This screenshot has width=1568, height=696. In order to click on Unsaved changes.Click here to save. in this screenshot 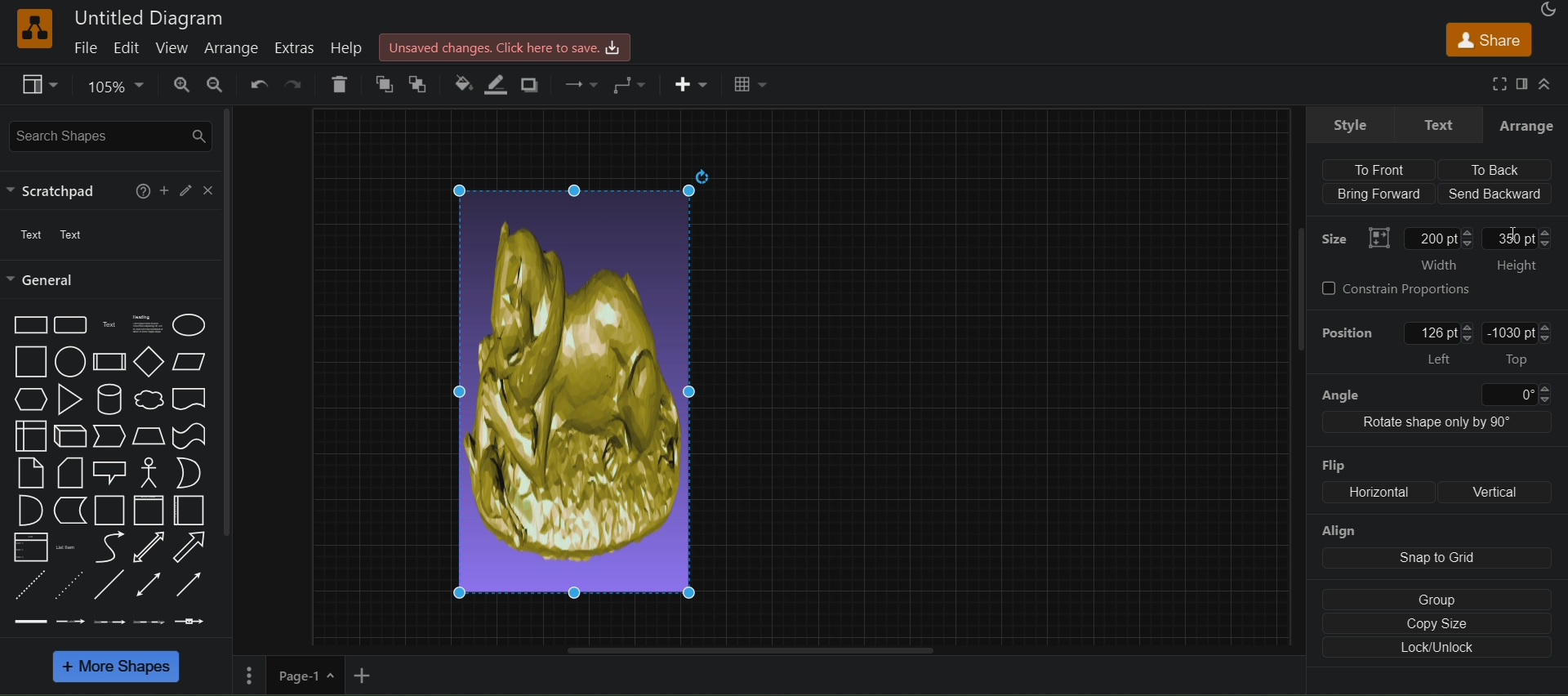, I will do `click(505, 46)`.